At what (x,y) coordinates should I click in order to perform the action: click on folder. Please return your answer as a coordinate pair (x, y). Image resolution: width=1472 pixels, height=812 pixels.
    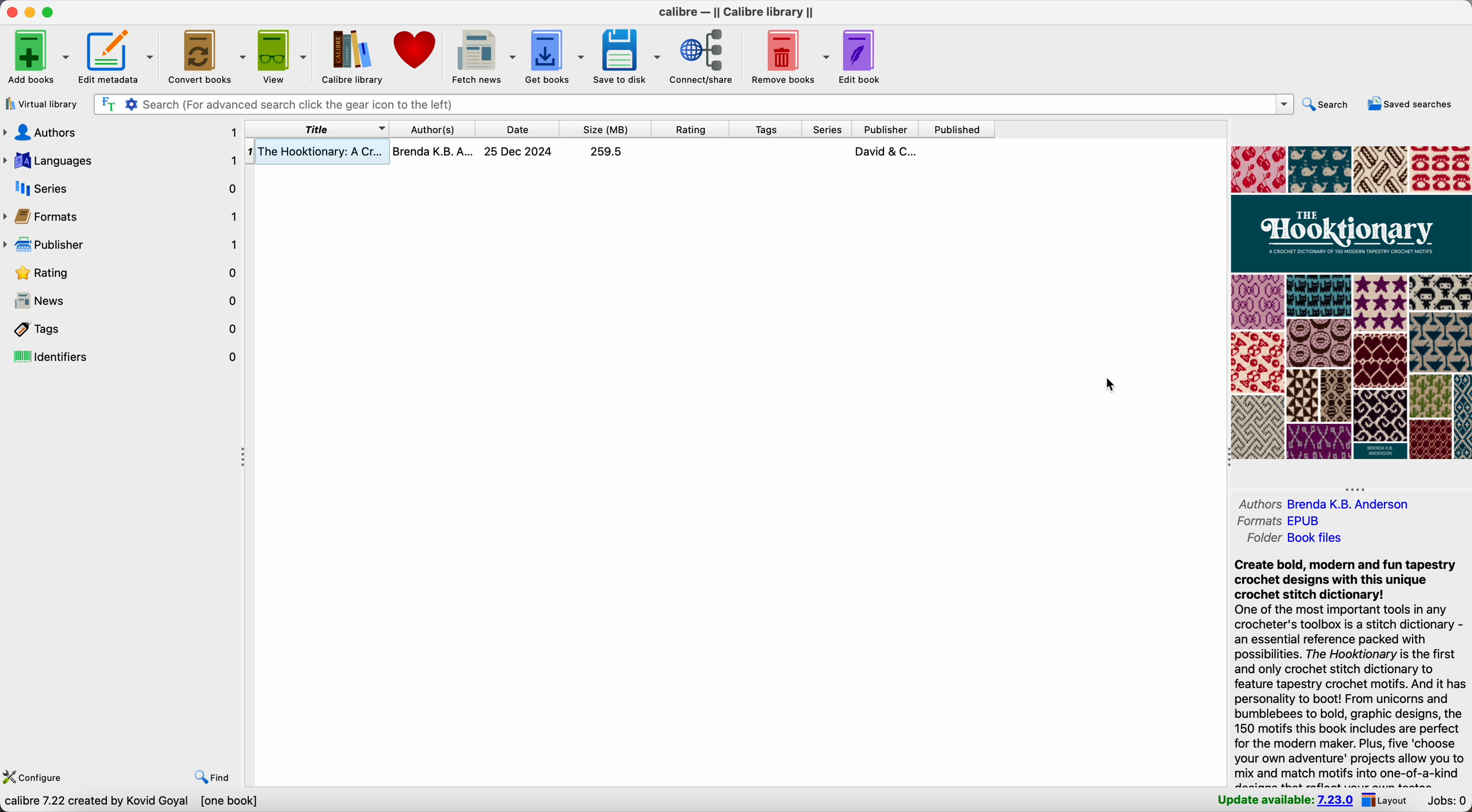
    Looking at the image, I should click on (1294, 539).